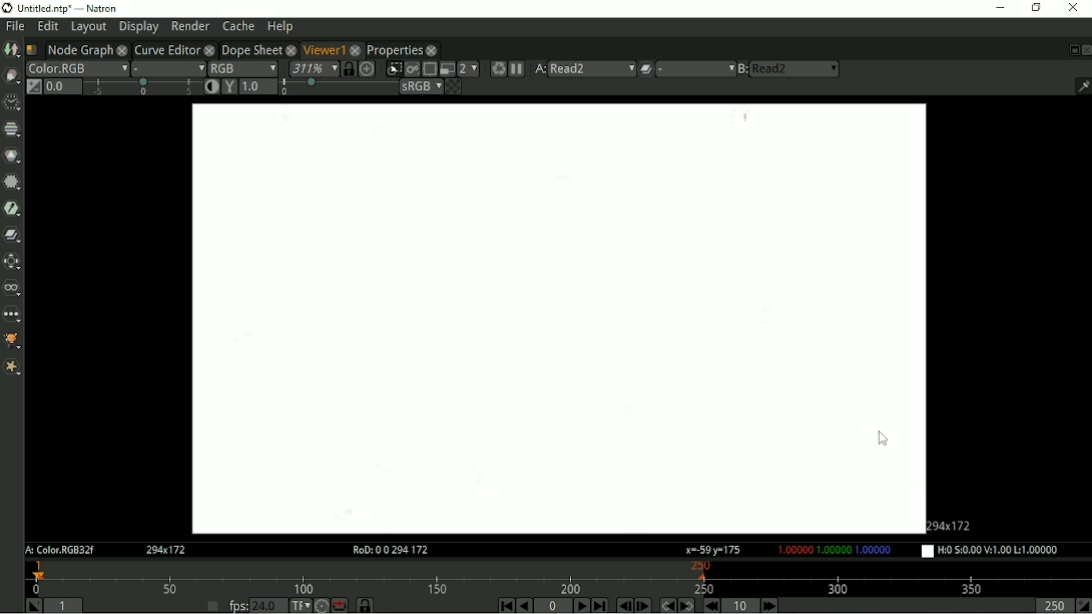 The height and width of the screenshot is (614, 1092). I want to click on Properties, so click(395, 50).